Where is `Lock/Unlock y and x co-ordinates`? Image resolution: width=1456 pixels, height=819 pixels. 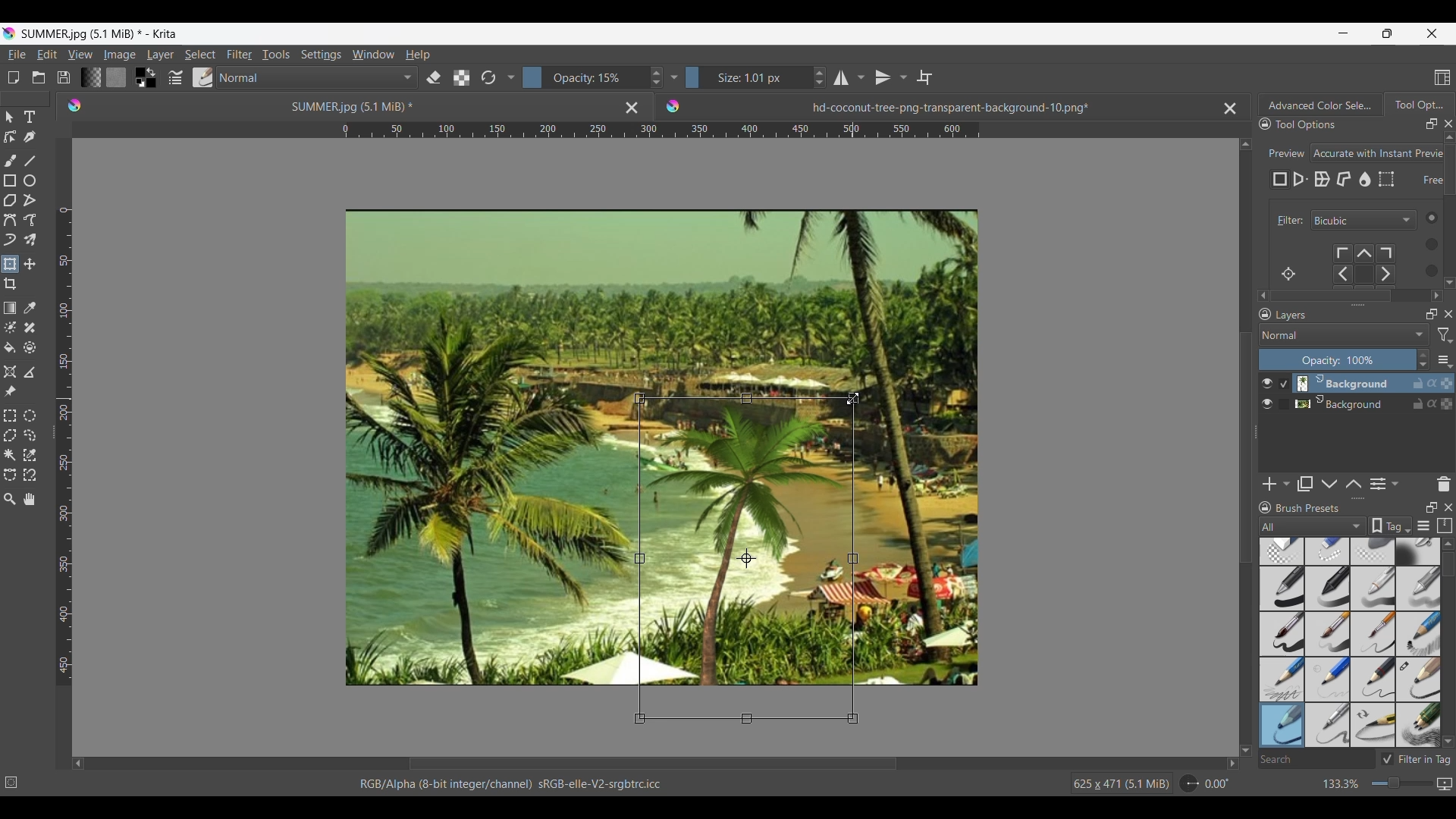 Lock/Unlock y and x co-ordinates is located at coordinates (1423, 190).